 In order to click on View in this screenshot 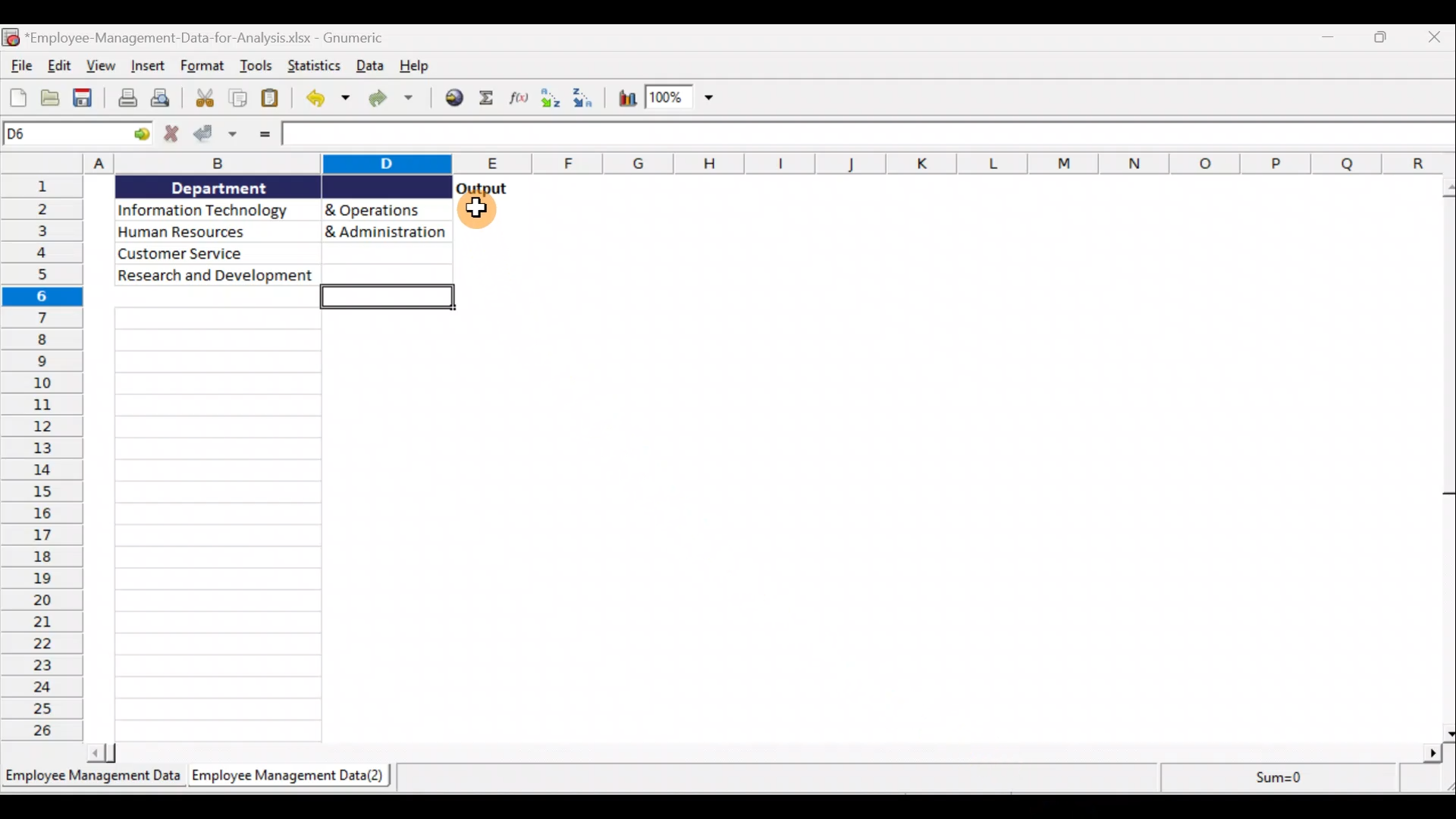, I will do `click(101, 67)`.